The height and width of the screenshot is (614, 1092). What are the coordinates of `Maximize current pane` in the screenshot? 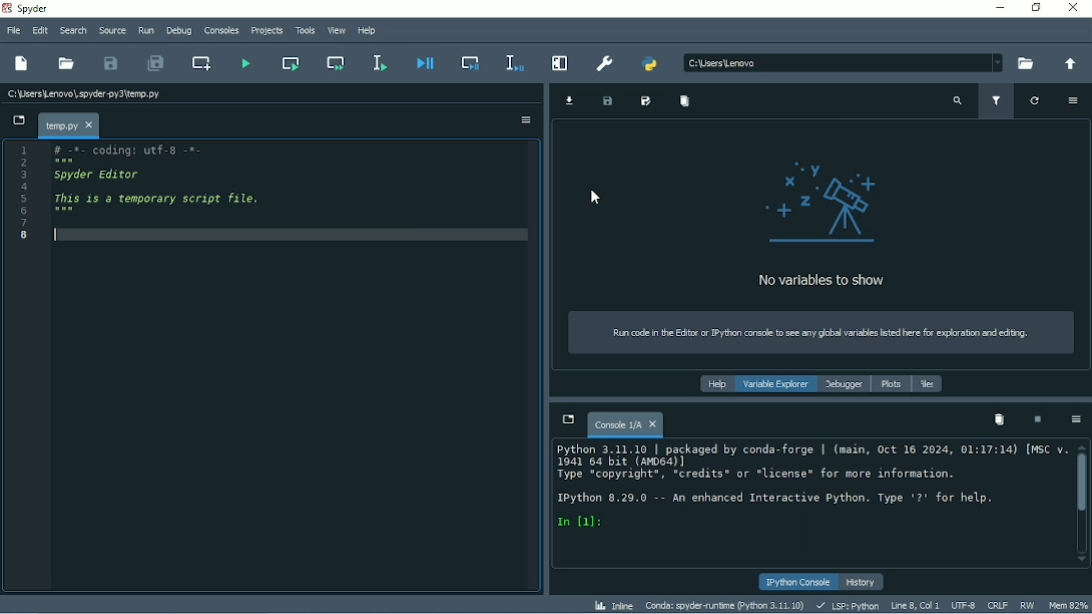 It's located at (561, 62).